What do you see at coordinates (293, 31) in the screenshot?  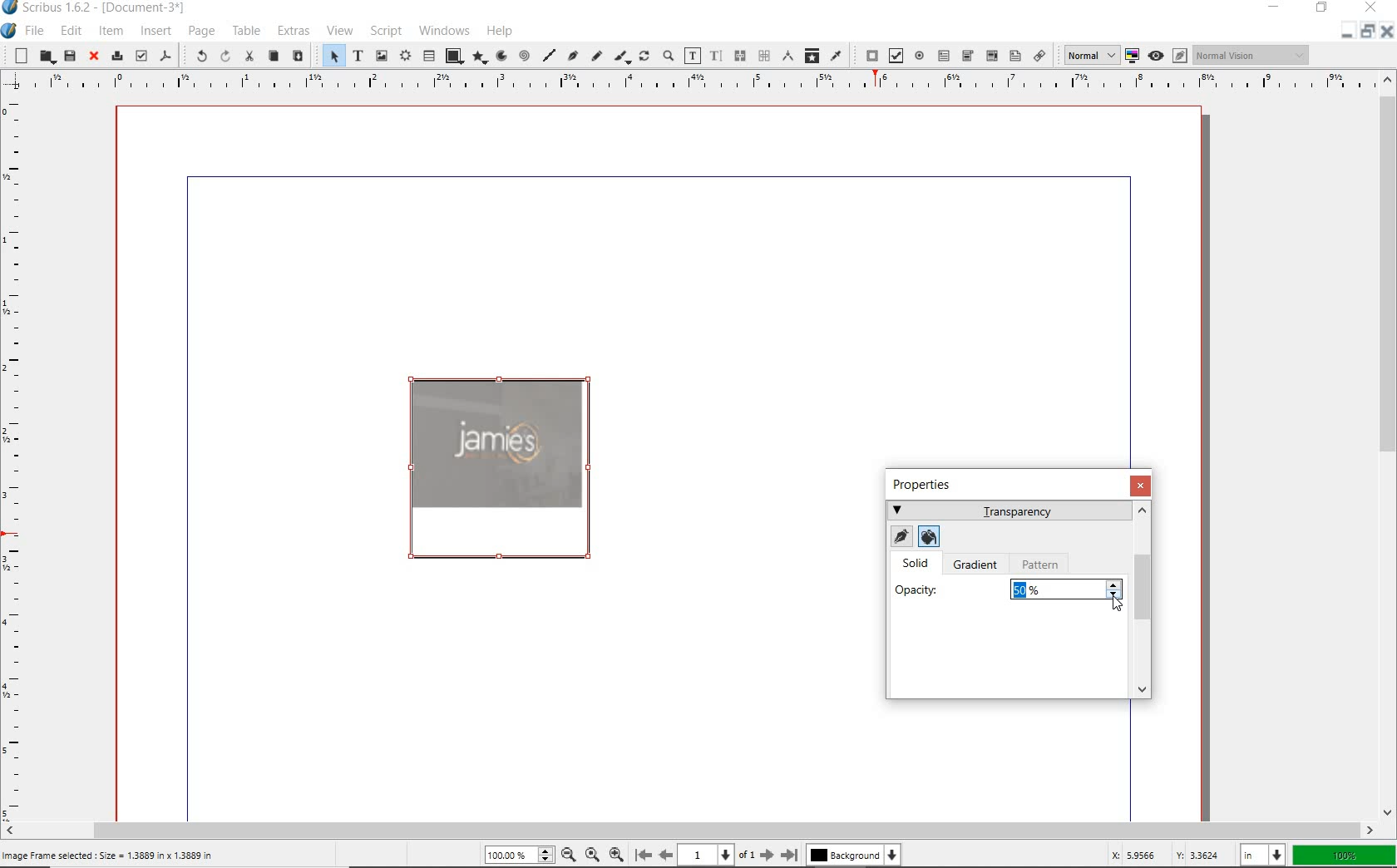 I see `EXTRAS` at bounding box center [293, 31].